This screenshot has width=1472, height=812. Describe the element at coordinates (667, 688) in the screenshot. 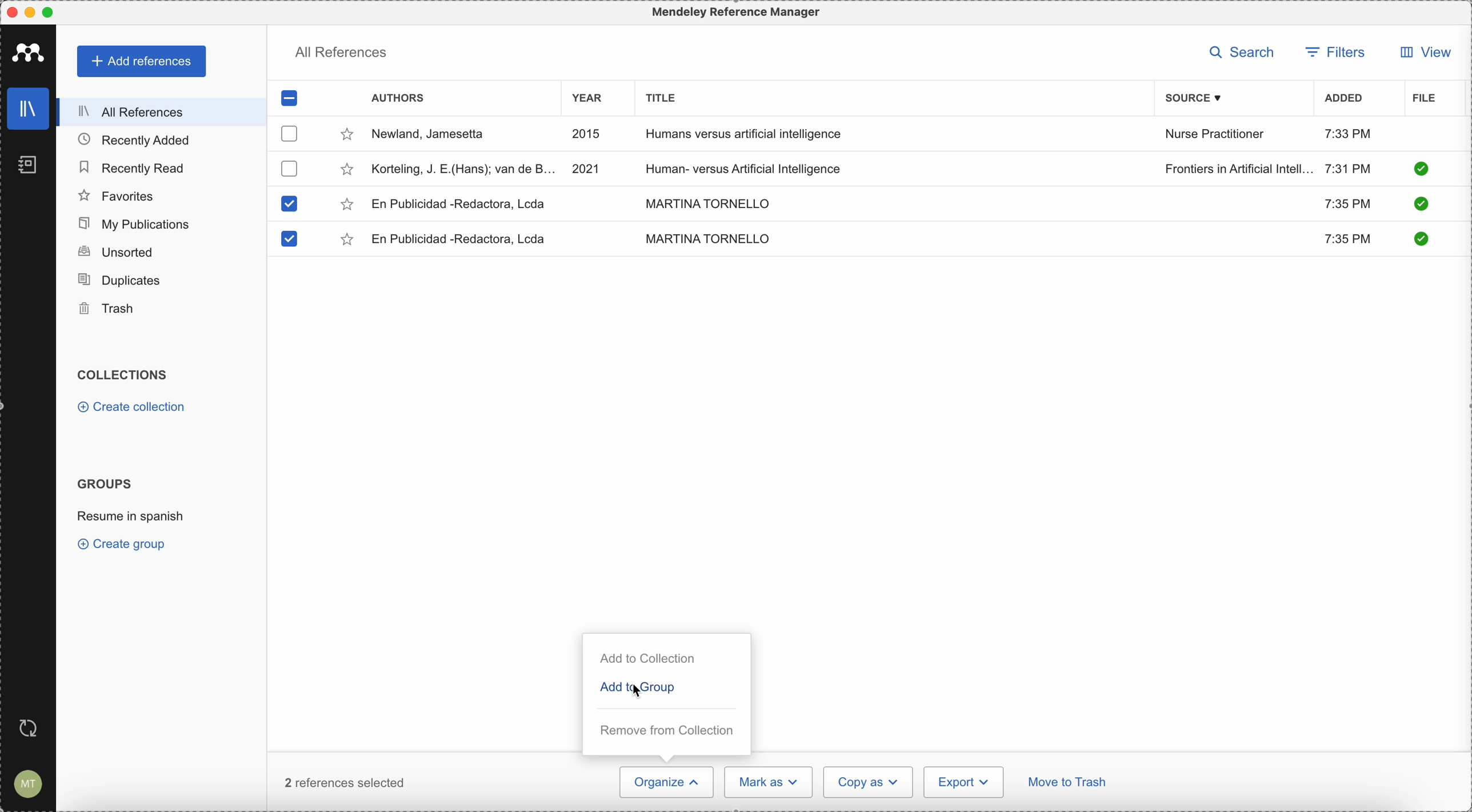

I see `group` at that location.